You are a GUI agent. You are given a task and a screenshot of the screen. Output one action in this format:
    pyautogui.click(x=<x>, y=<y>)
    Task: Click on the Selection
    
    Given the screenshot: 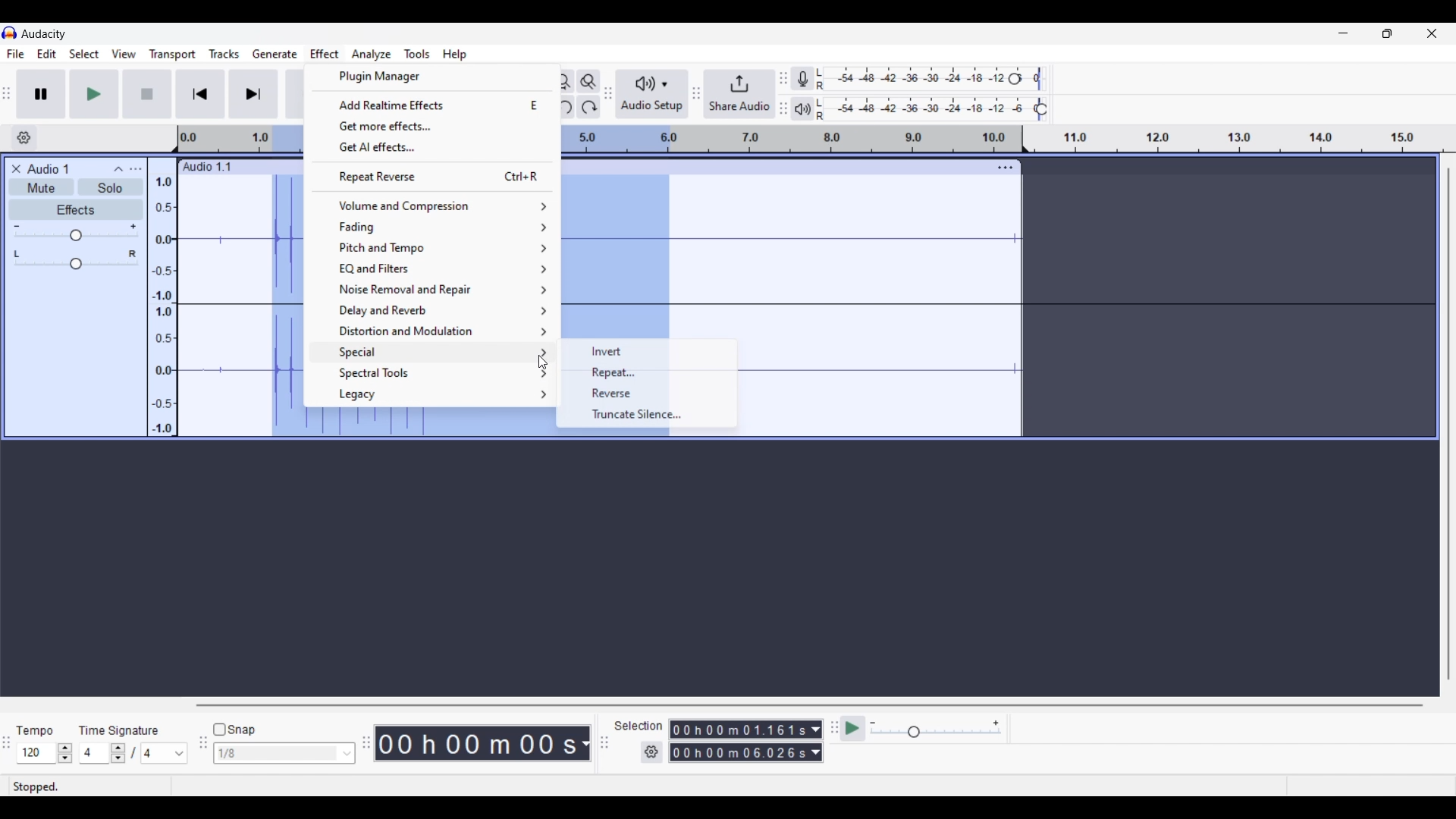 What is the action you would take?
    pyautogui.click(x=639, y=726)
    